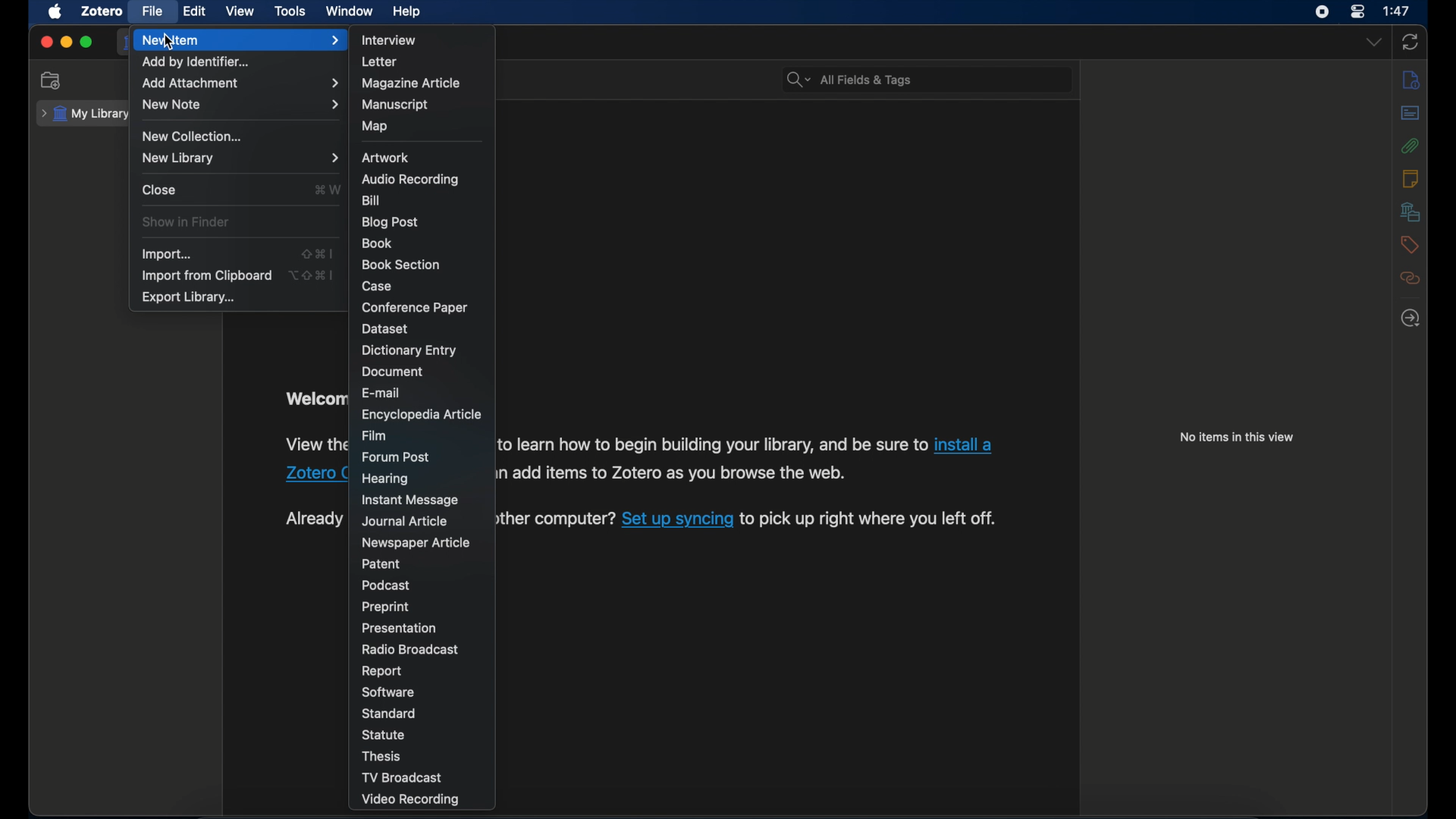 The height and width of the screenshot is (819, 1456). What do you see at coordinates (1360, 11) in the screenshot?
I see `control center` at bounding box center [1360, 11].